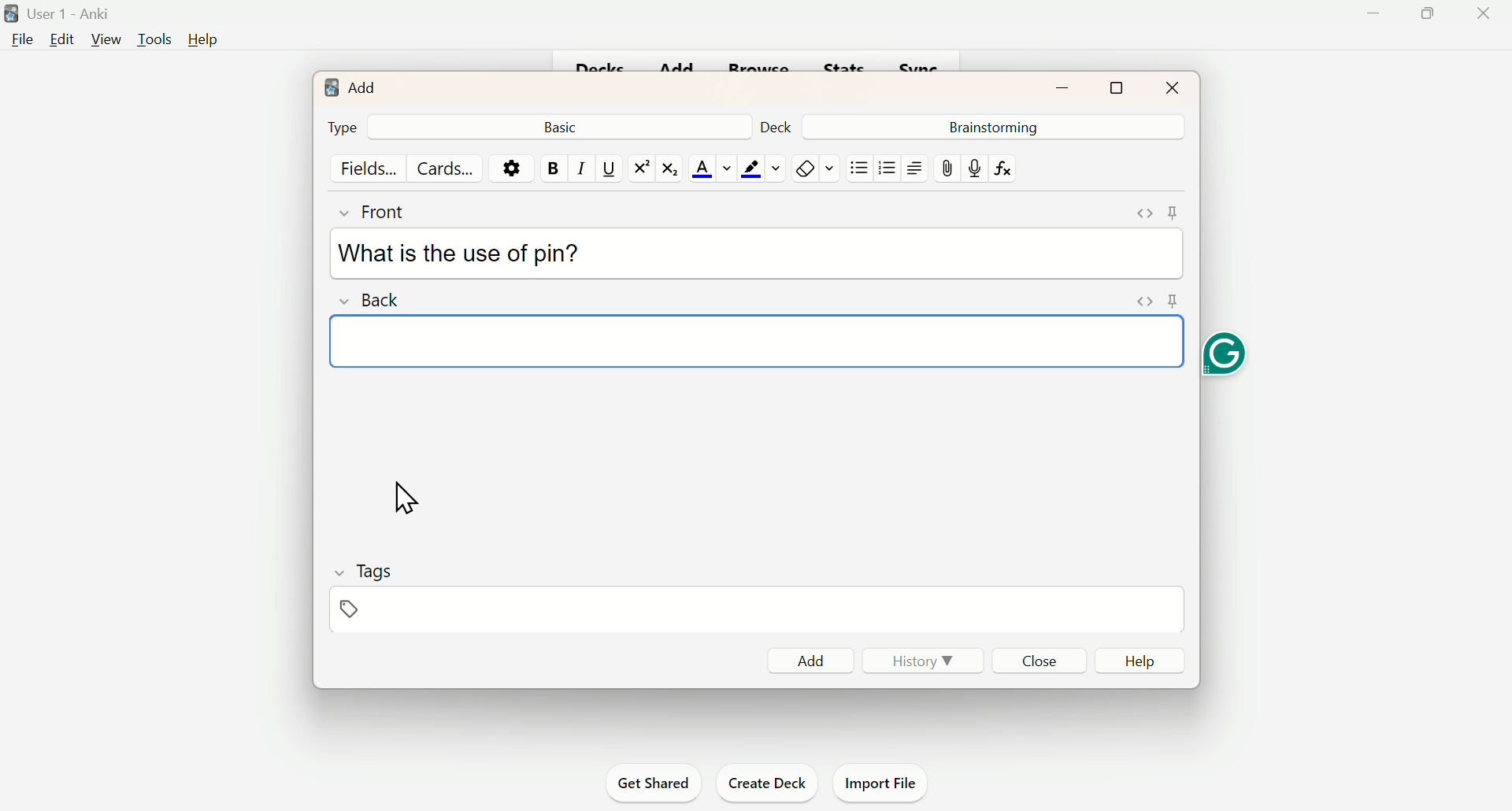  I want to click on , so click(105, 36).